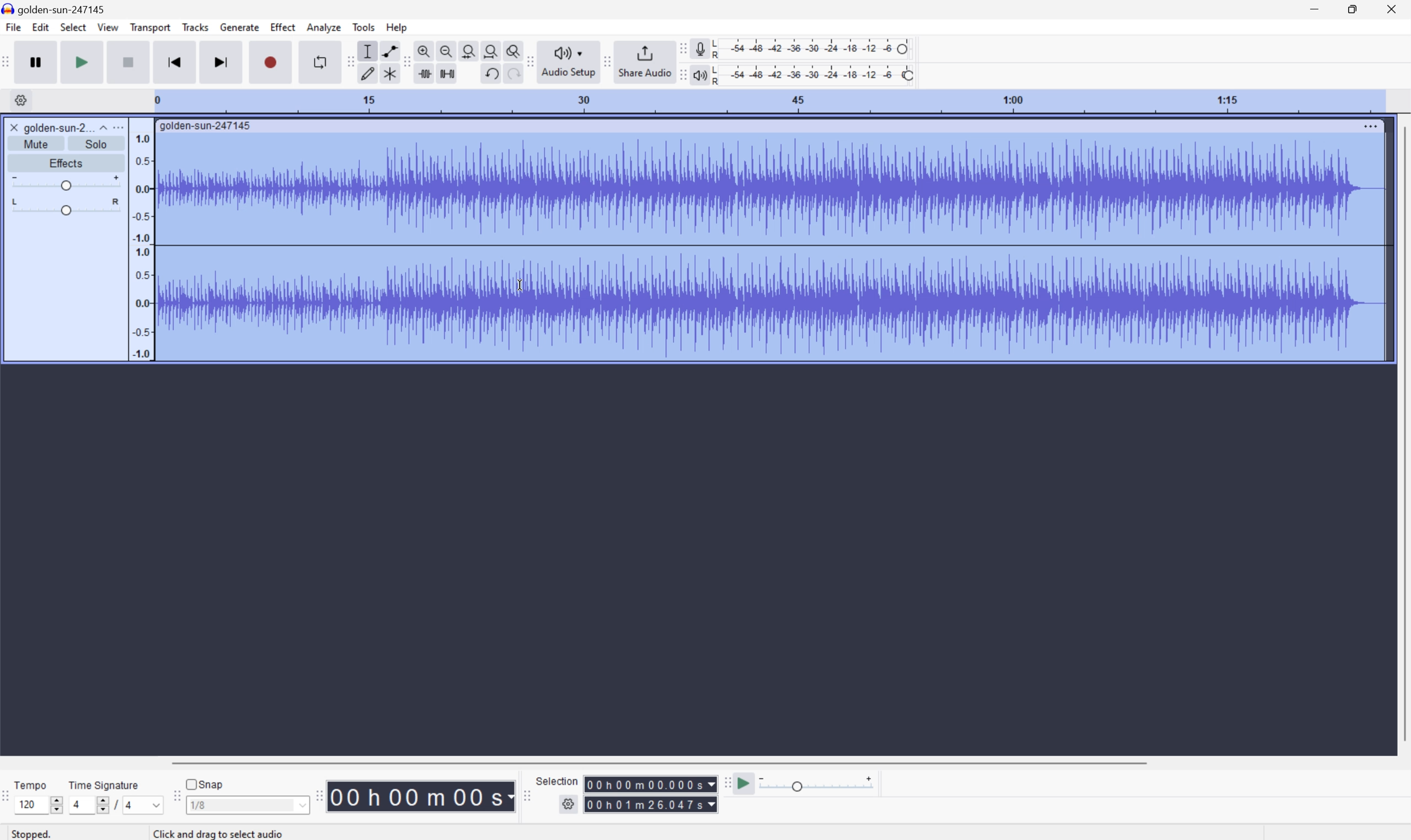 This screenshot has width=1411, height=840. I want to click on /, so click(115, 804).